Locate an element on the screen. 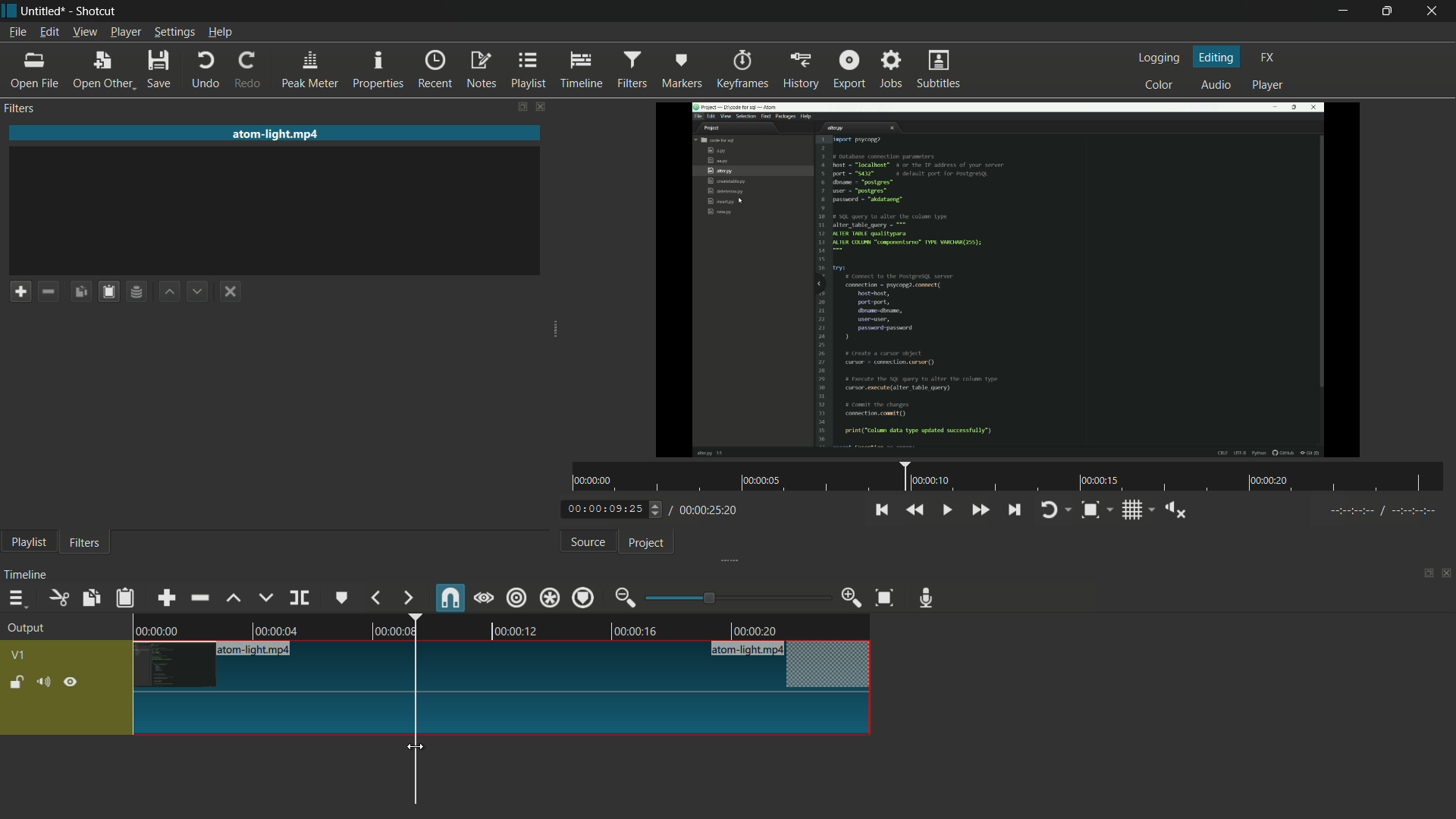 This screenshot has height=819, width=1456. create or edit marker is located at coordinates (342, 599).